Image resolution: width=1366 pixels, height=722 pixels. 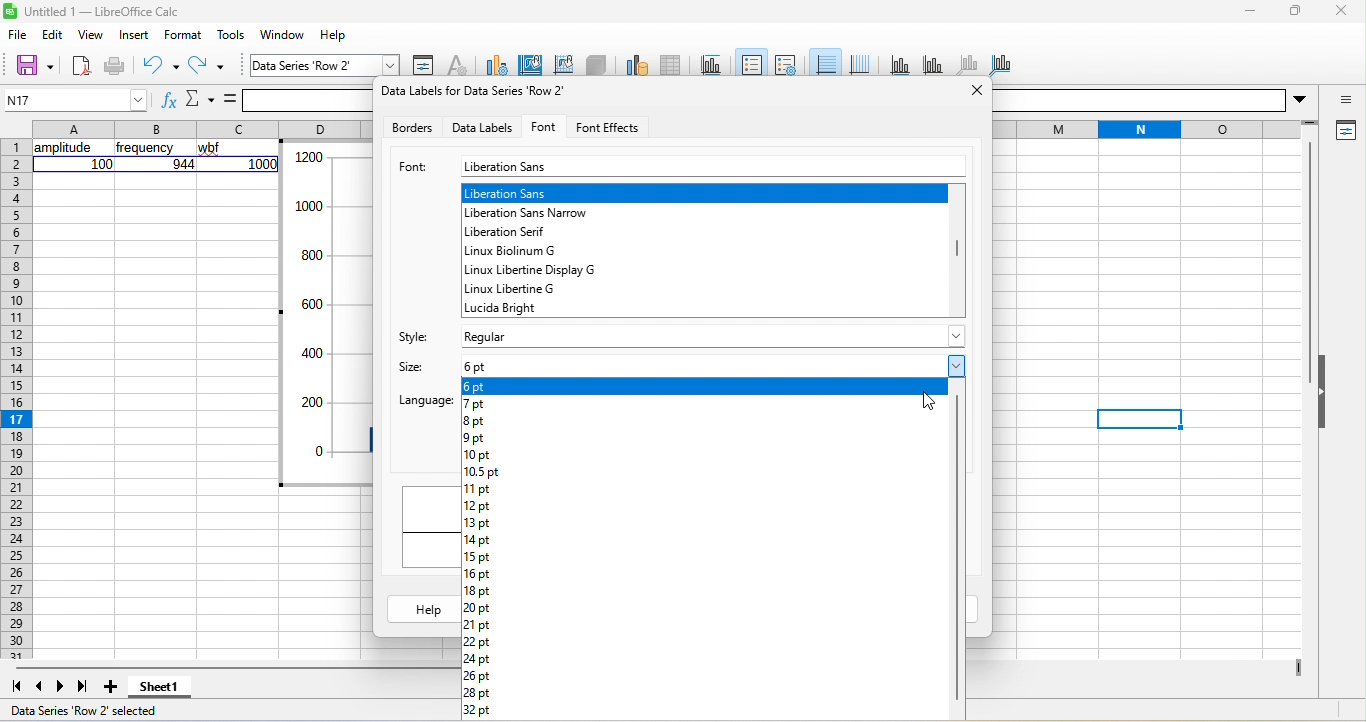 I want to click on 944, so click(x=182, y=164).